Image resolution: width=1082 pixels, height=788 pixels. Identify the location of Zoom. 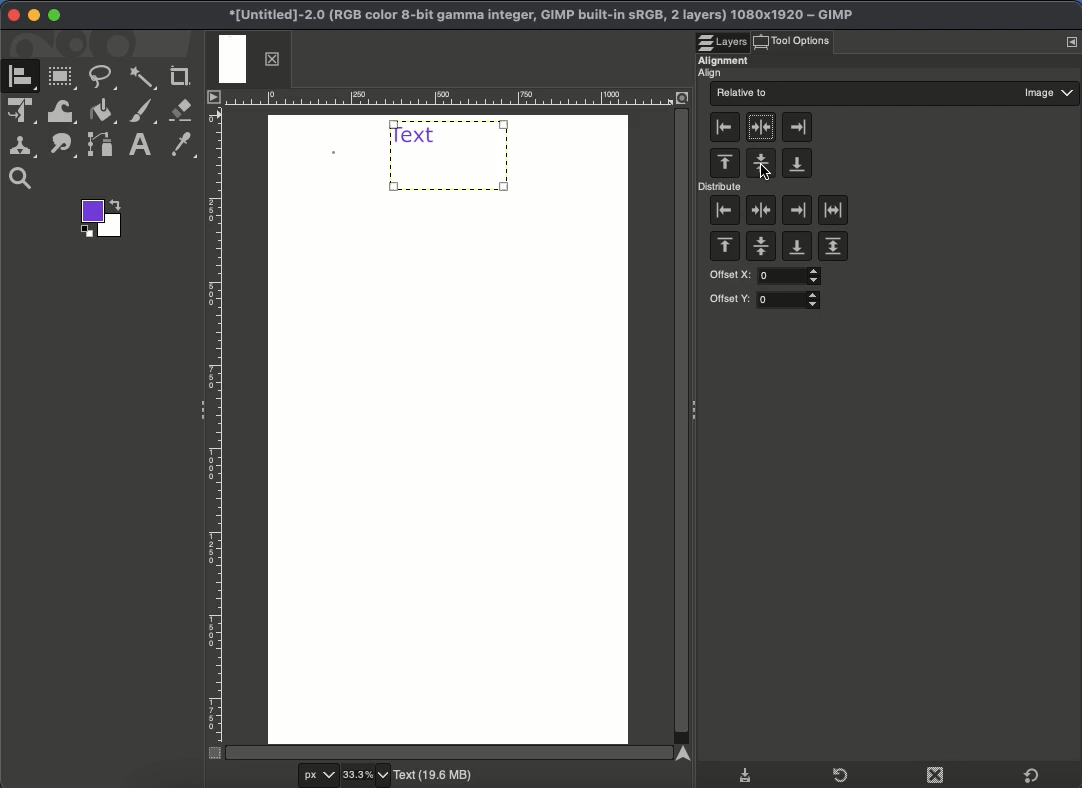
(25, 179).